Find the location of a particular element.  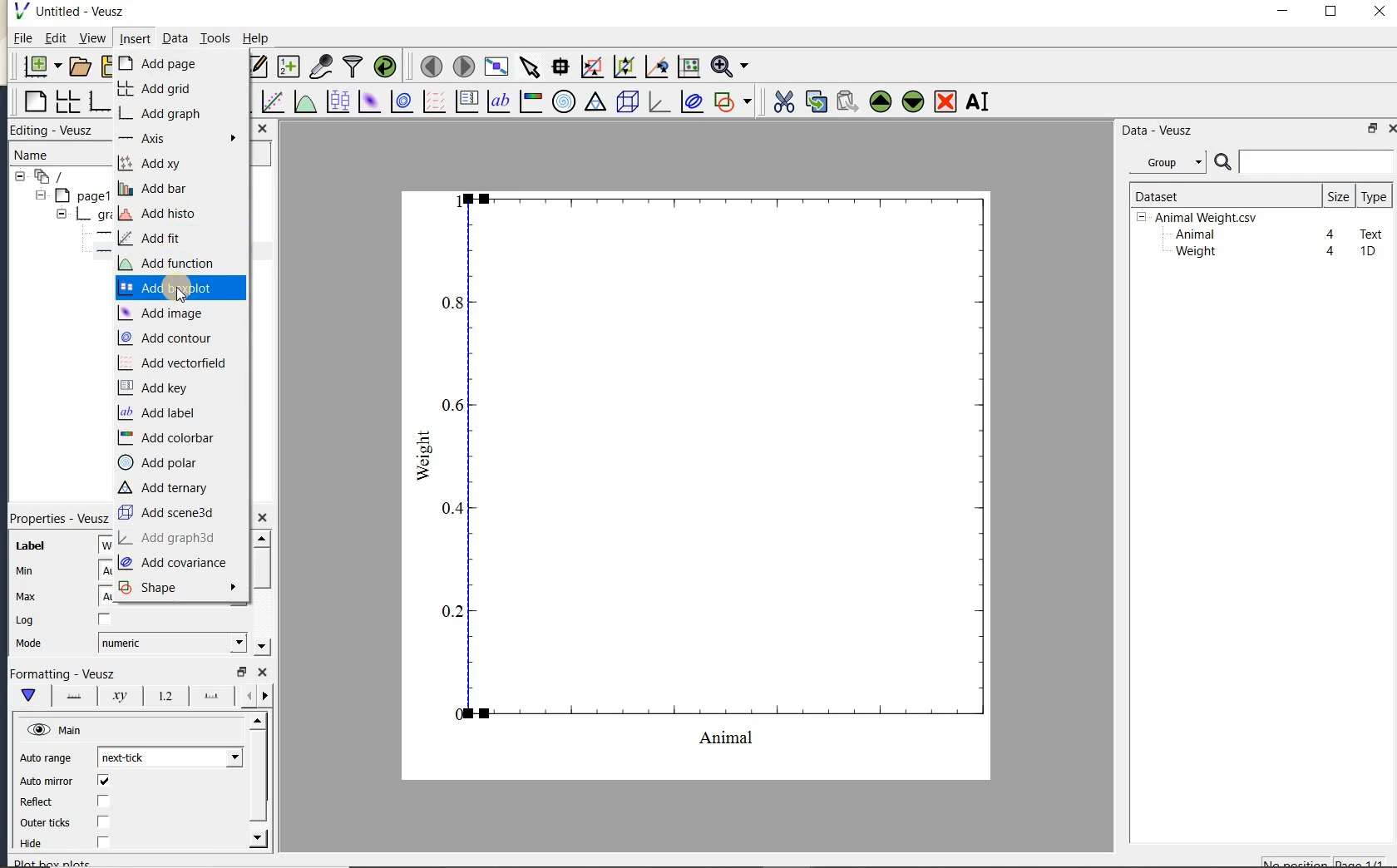

add colorbar is located at coordinates (168, 437).